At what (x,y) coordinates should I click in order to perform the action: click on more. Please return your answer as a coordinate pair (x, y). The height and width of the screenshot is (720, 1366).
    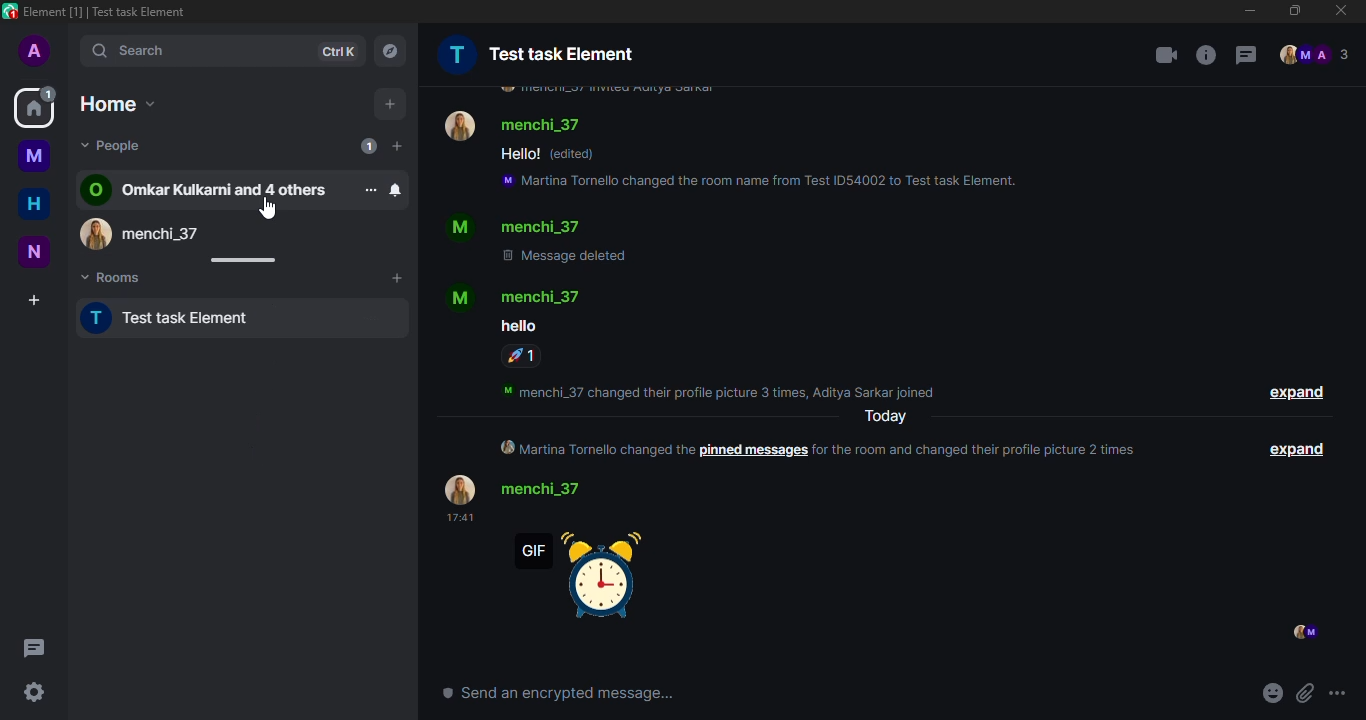
    Looking at the image, I should click on (1338, 694).